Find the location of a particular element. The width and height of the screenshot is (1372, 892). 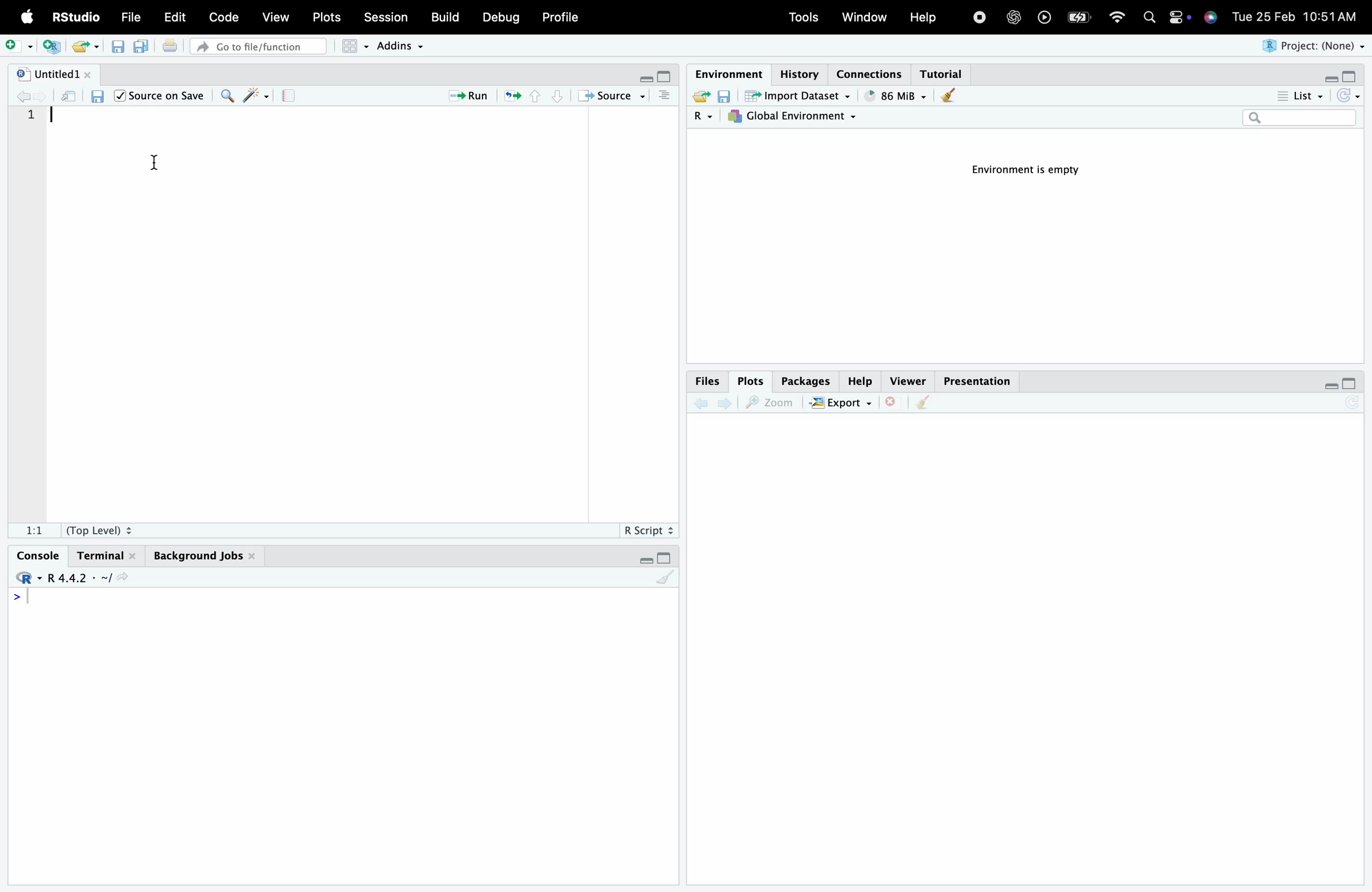

back is located at coordinates (28, 98).